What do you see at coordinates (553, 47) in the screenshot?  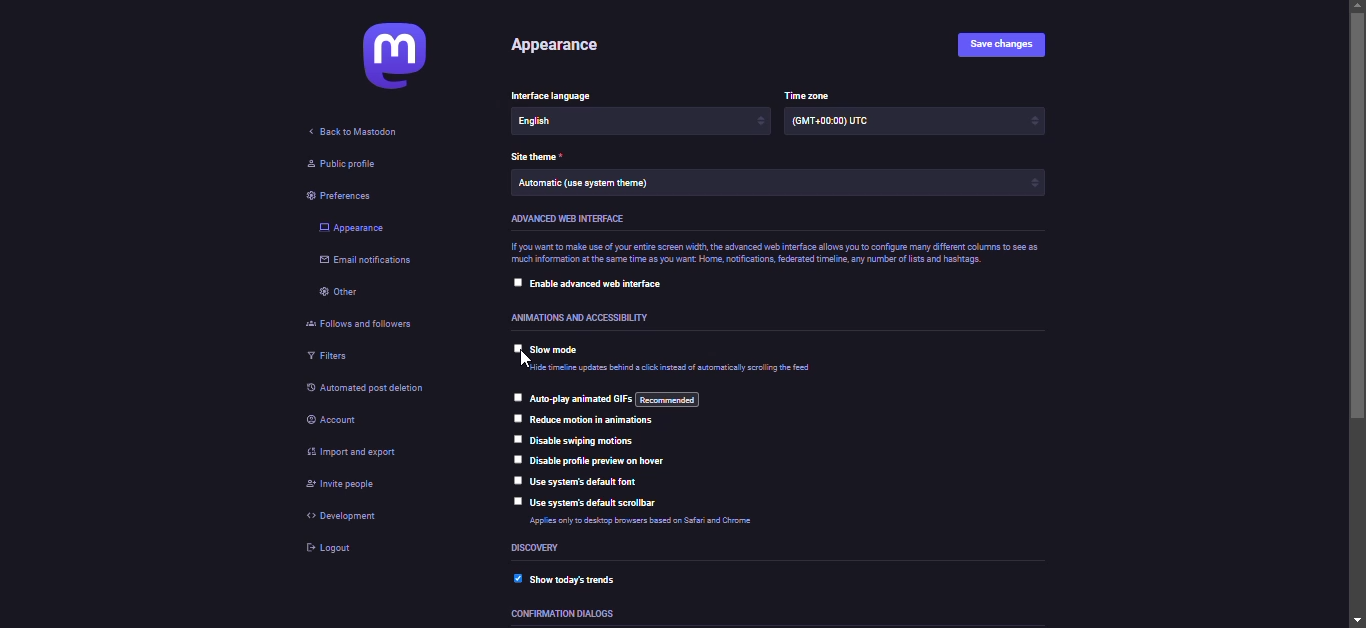 I see `appearance` at bounding box center [553, 47].